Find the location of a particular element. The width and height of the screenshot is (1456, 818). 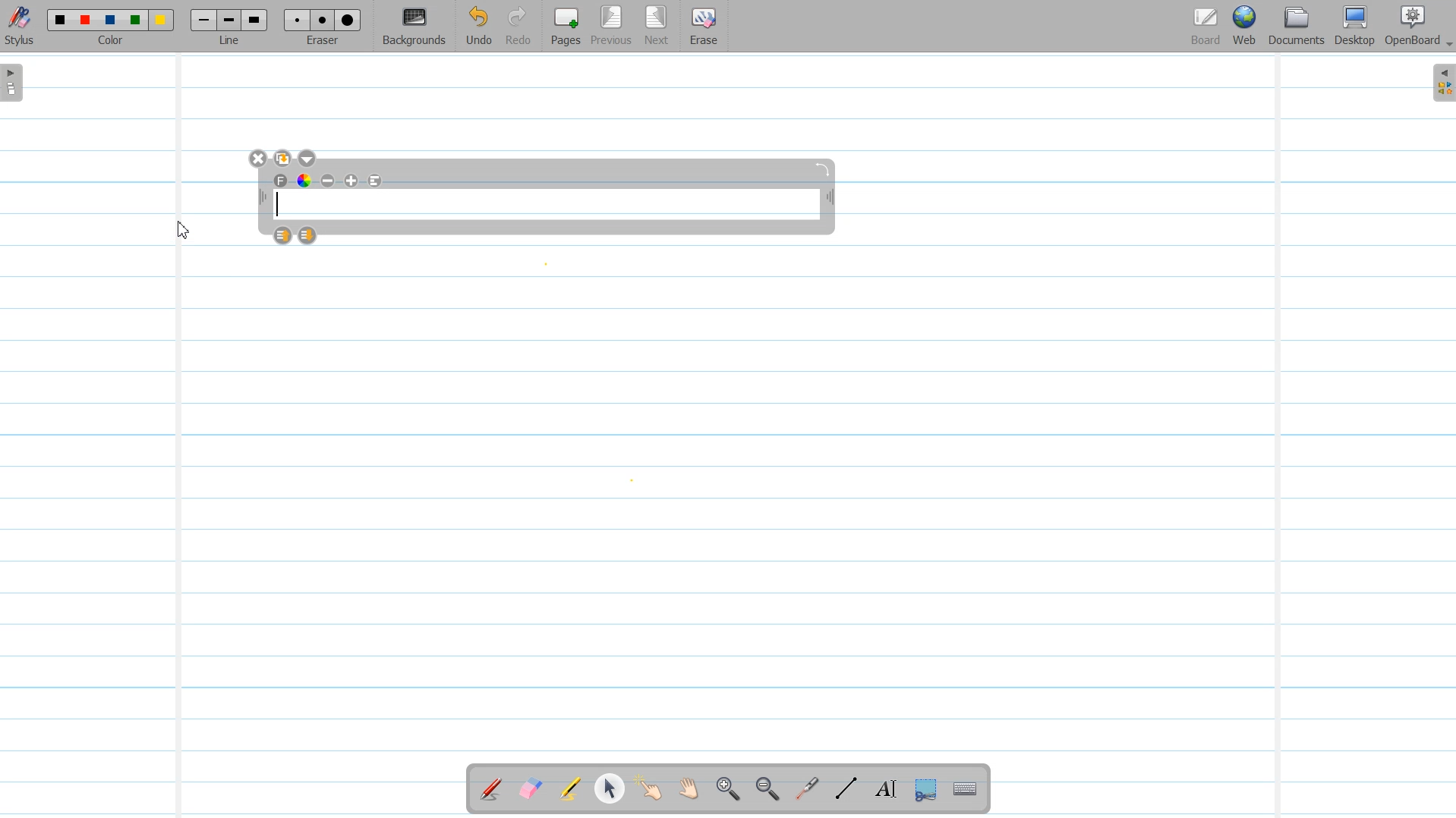

Close Window is located at coordinates (259, 159).